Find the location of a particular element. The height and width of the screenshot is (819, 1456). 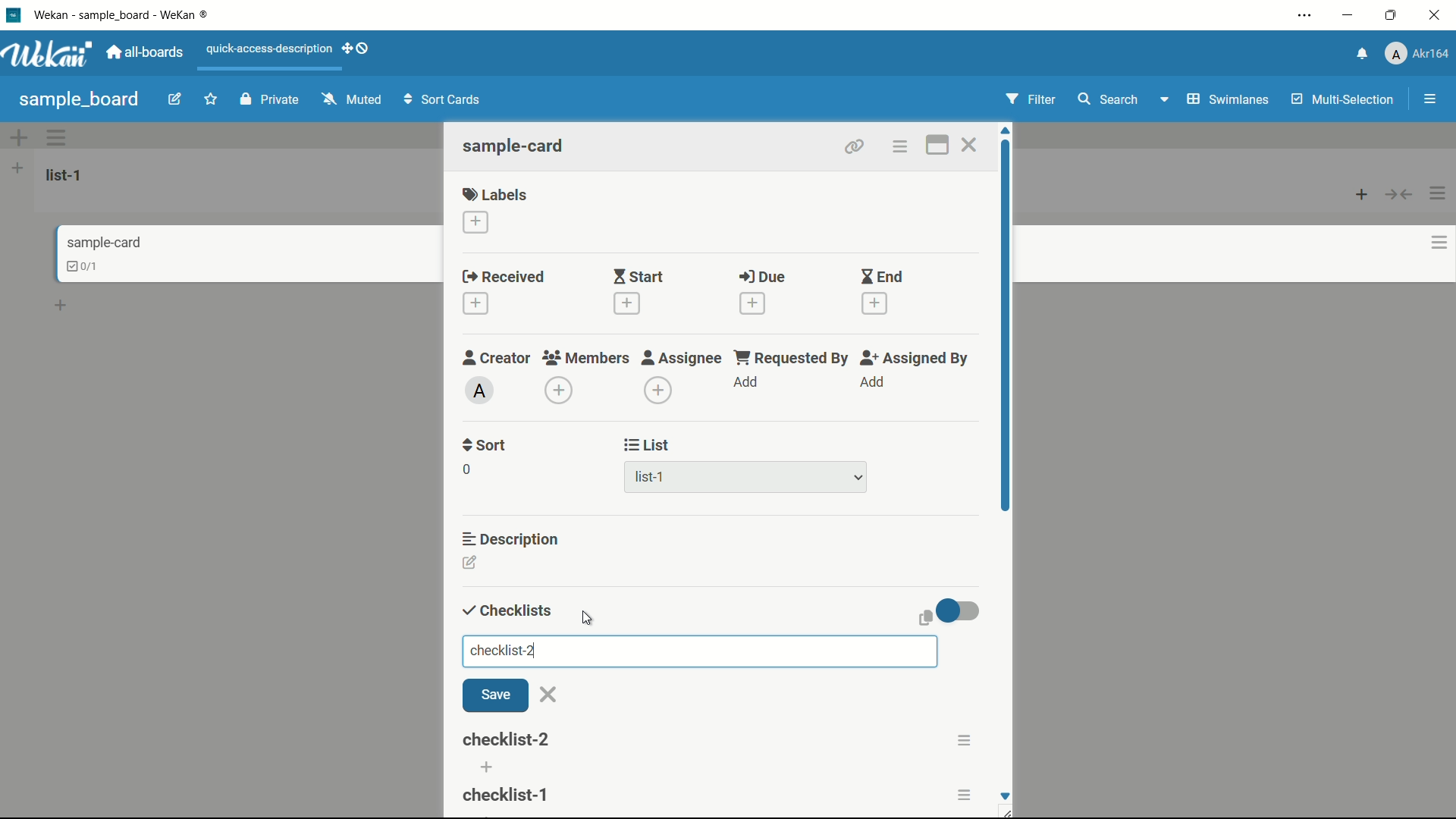

save is located at coordinates (495, 696).